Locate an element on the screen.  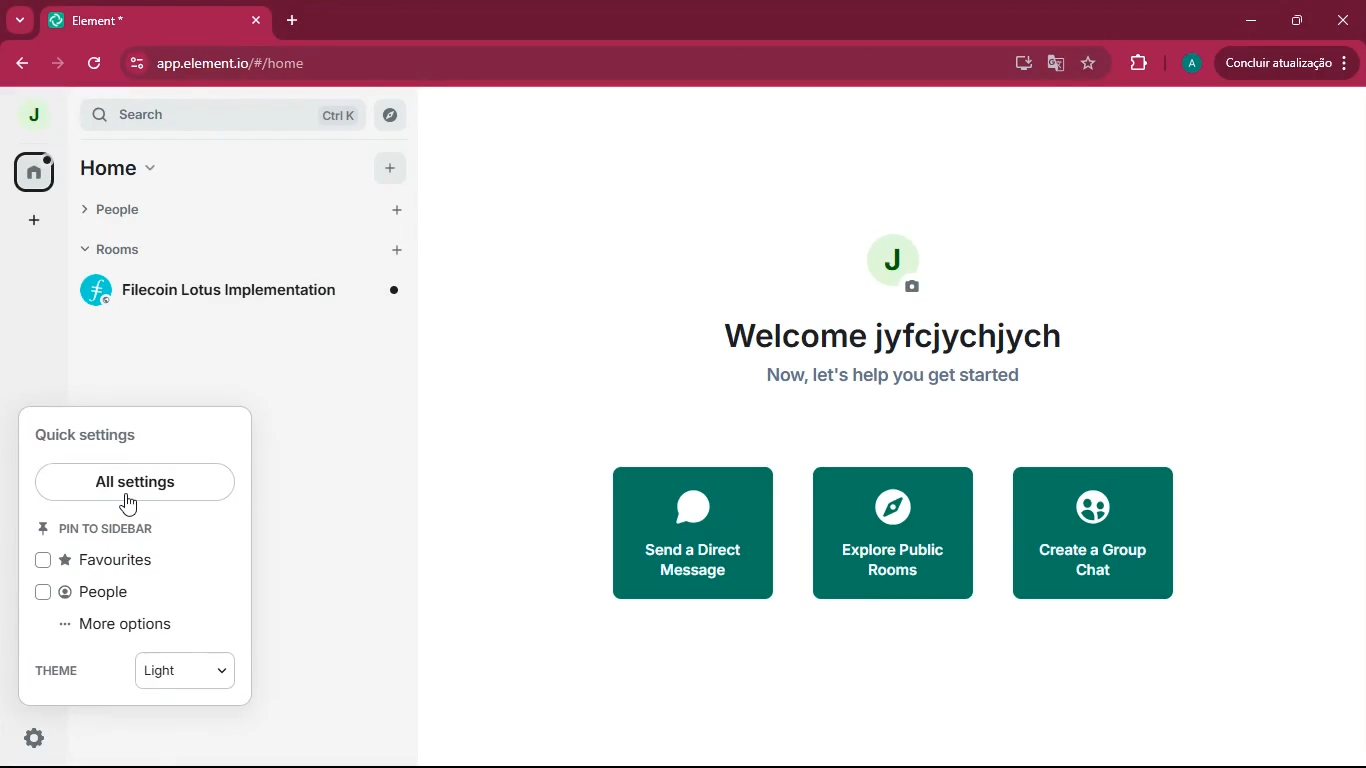
update is located at coordinates (1290, 62).